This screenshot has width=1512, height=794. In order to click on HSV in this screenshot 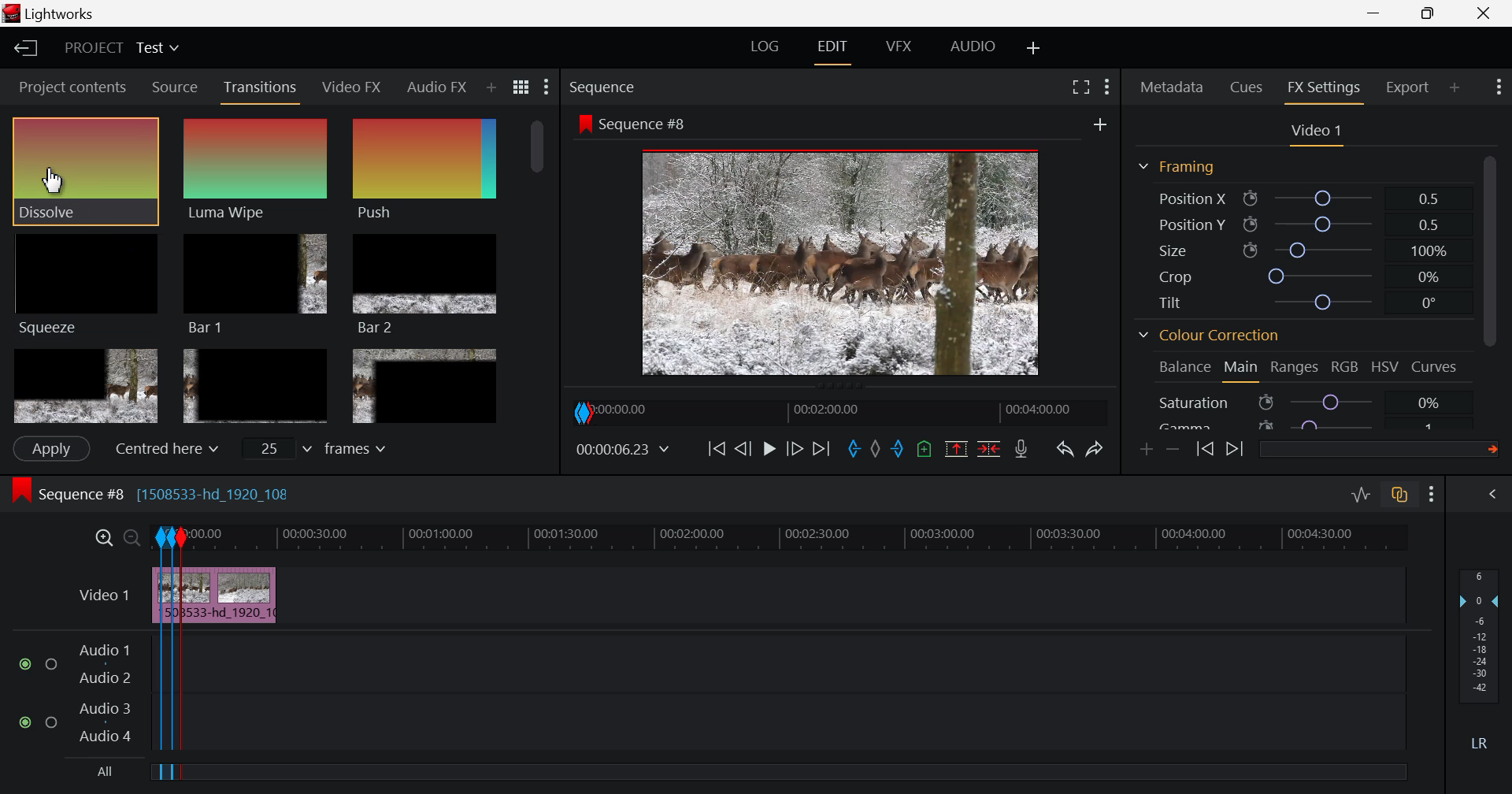, I will do `click(1385, 368)`.